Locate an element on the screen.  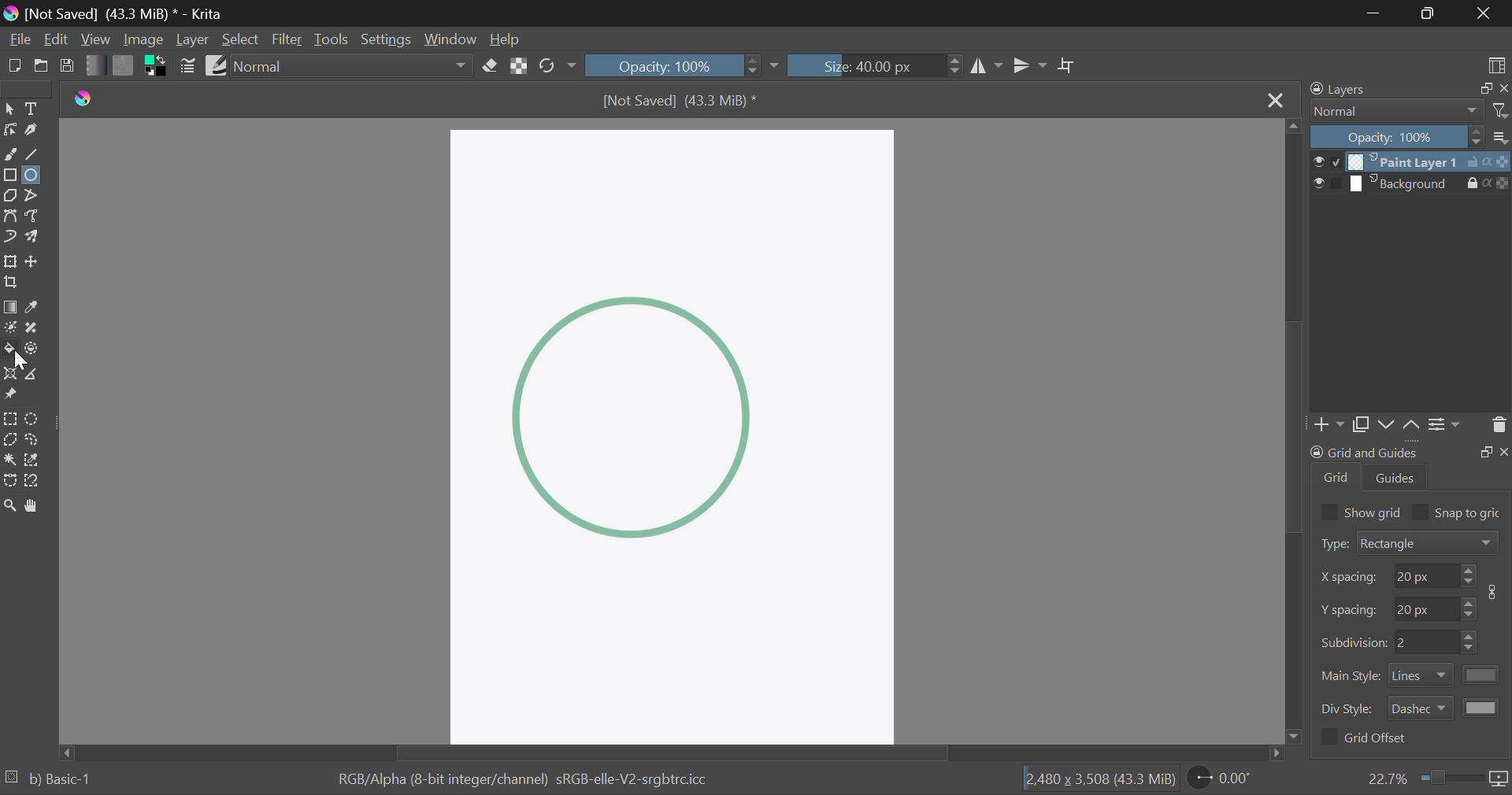
Open is located at coordinates (43, 65).